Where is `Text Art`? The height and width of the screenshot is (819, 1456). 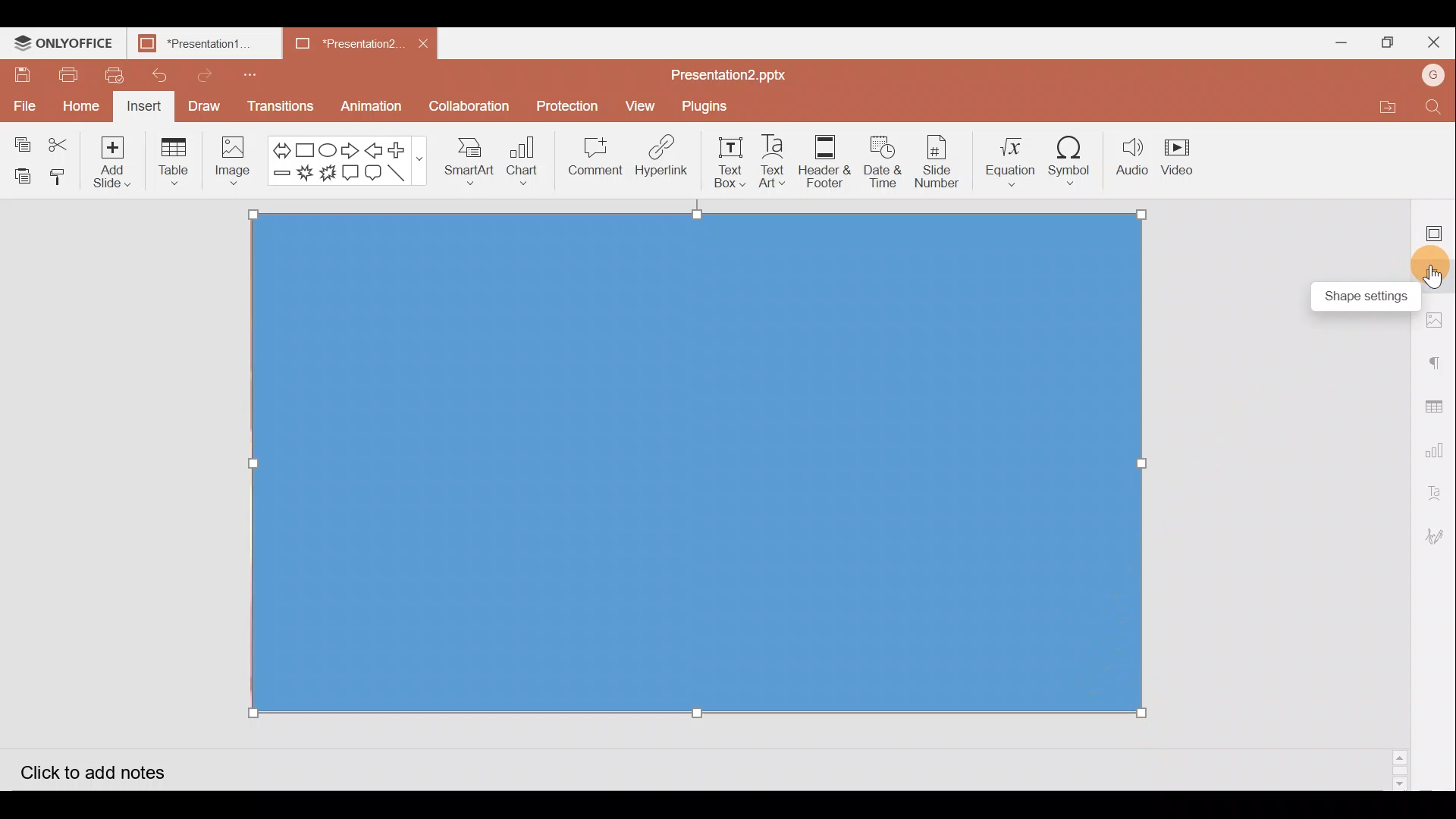
Text Art is located at coordinates (773, 162).